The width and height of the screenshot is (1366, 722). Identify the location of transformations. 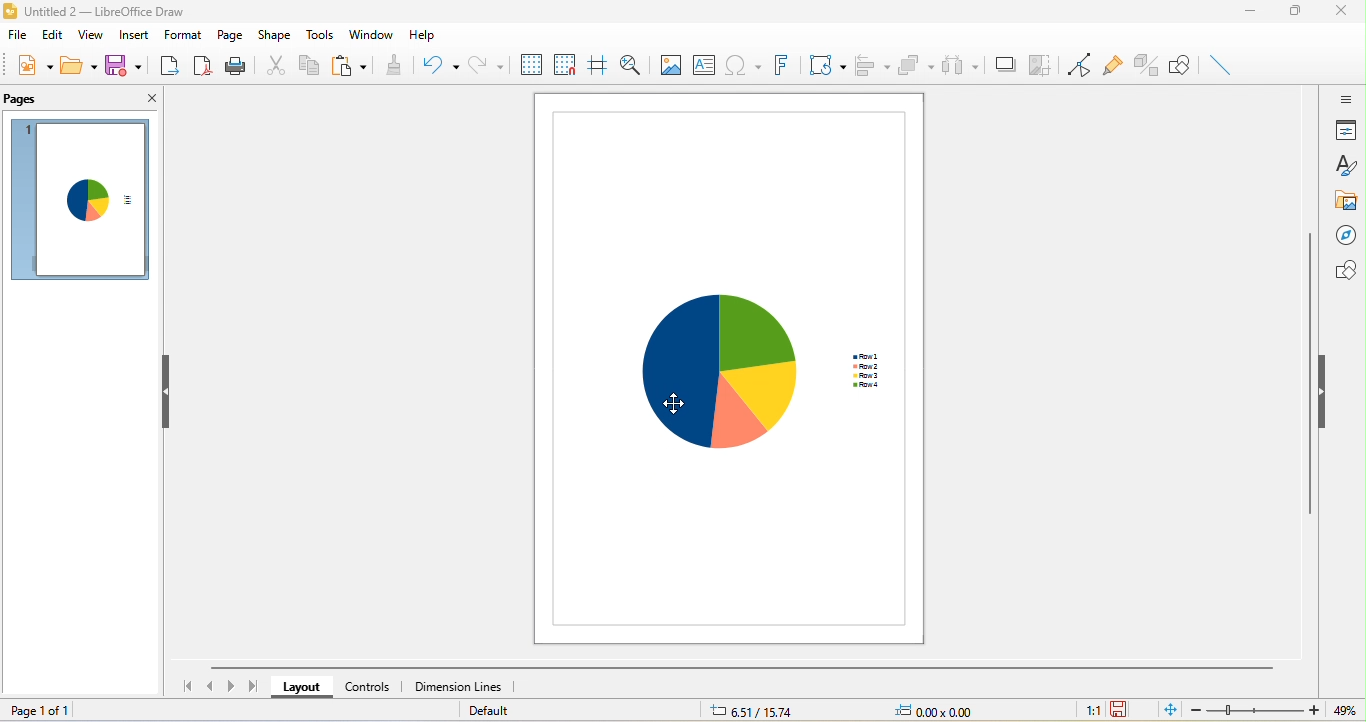
(827, 65).